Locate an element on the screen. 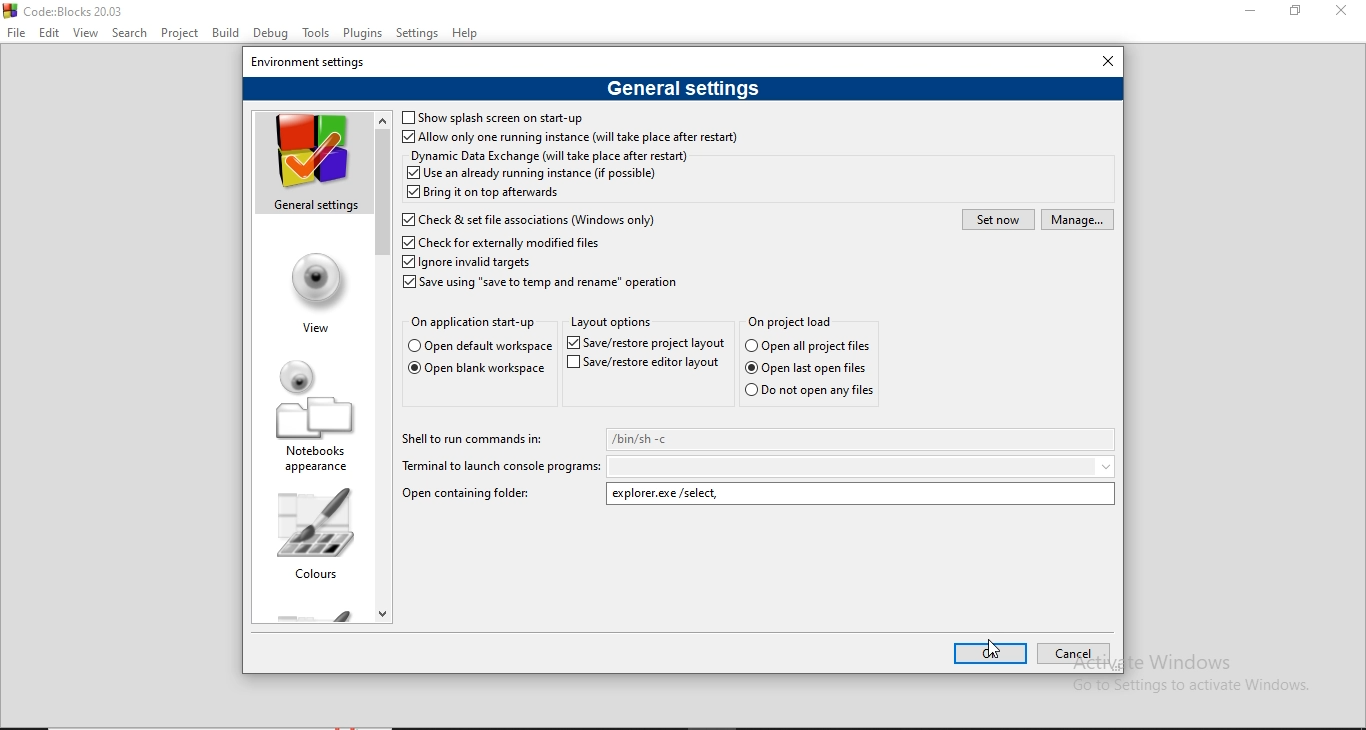  Allow only one running instance (will take place after restart) is located at coordinates (570, 139).